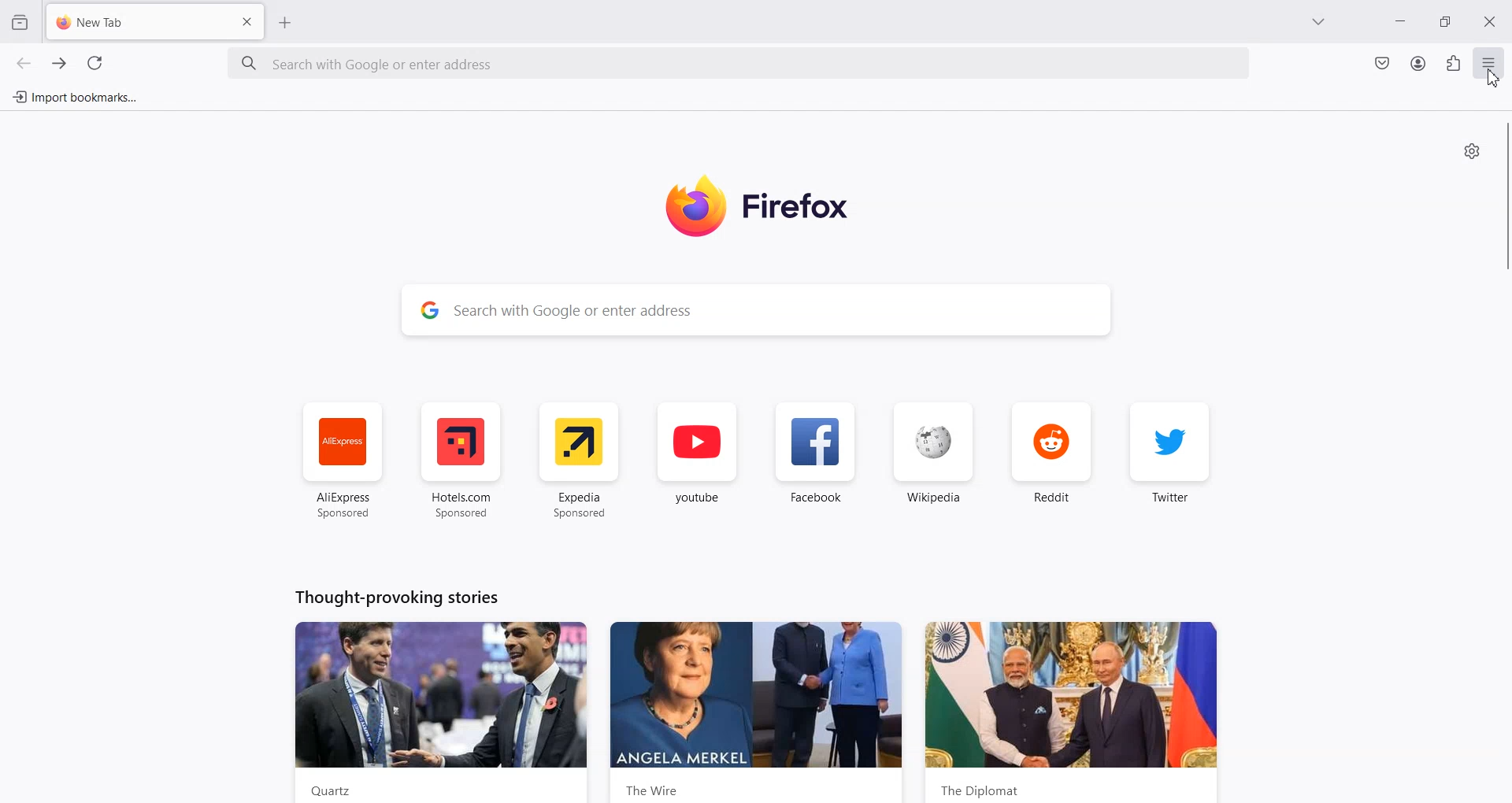 The width and height of the screenshot is (1512, 803). I want to click on Twitter, so click(1170, 457).